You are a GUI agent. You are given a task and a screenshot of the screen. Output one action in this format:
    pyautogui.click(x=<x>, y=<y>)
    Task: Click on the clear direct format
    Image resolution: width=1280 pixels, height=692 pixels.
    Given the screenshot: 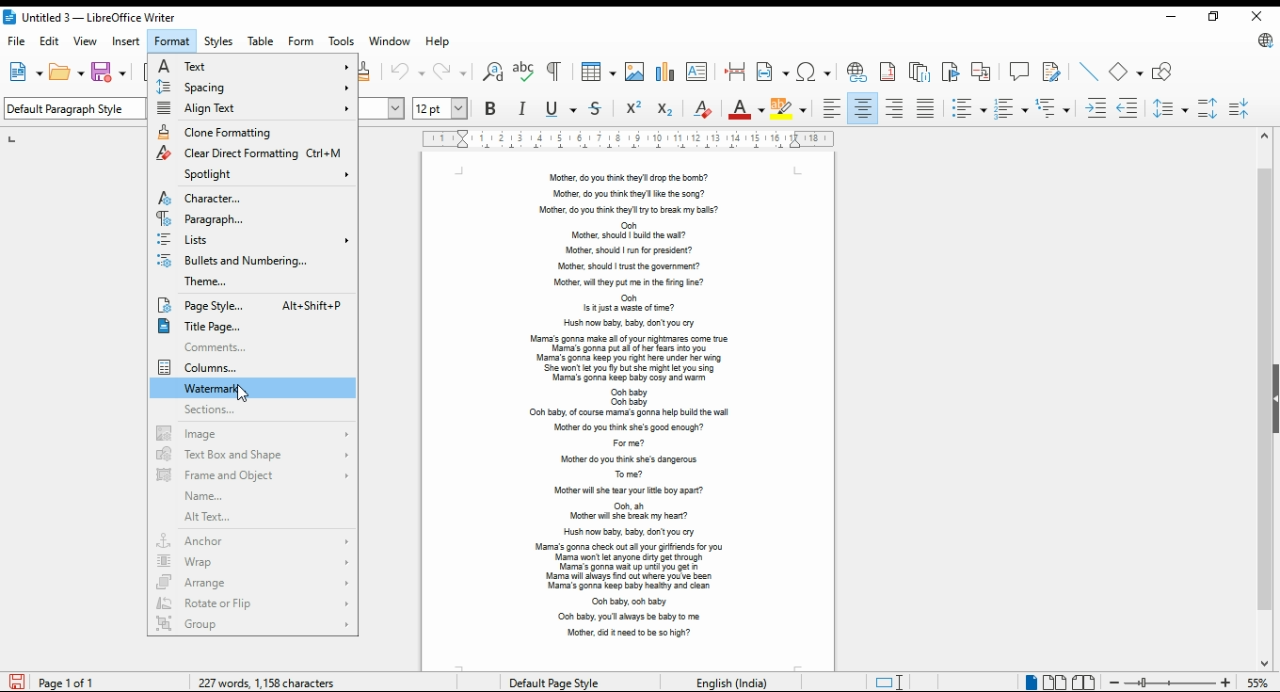 What is the action you would take?
    pyautogui.click(x=249, y=155)
    